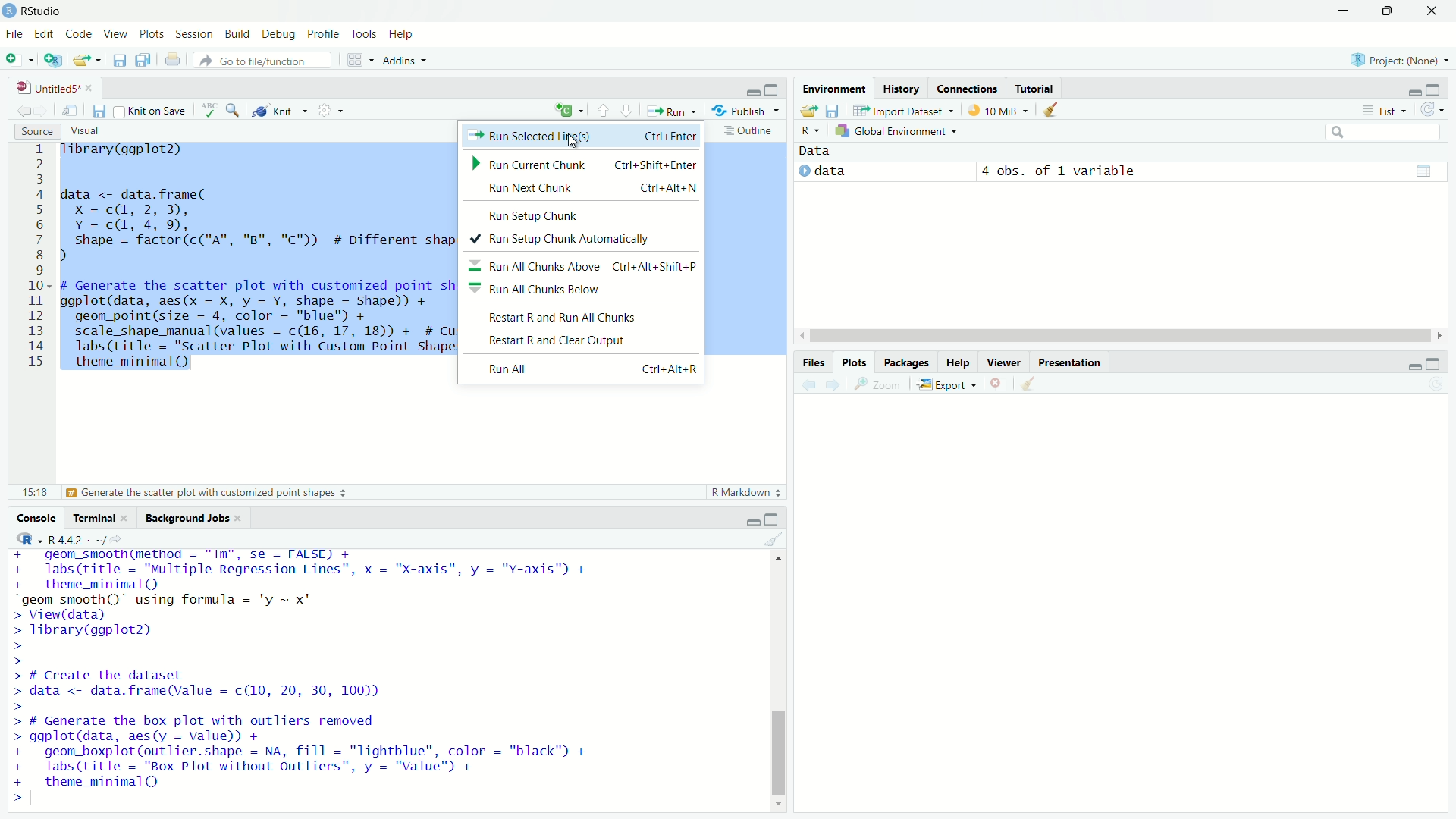 Image resolution: width=1456 pixels, height=819 pixels. I want to click on Knit on Save, so click(151, 110).